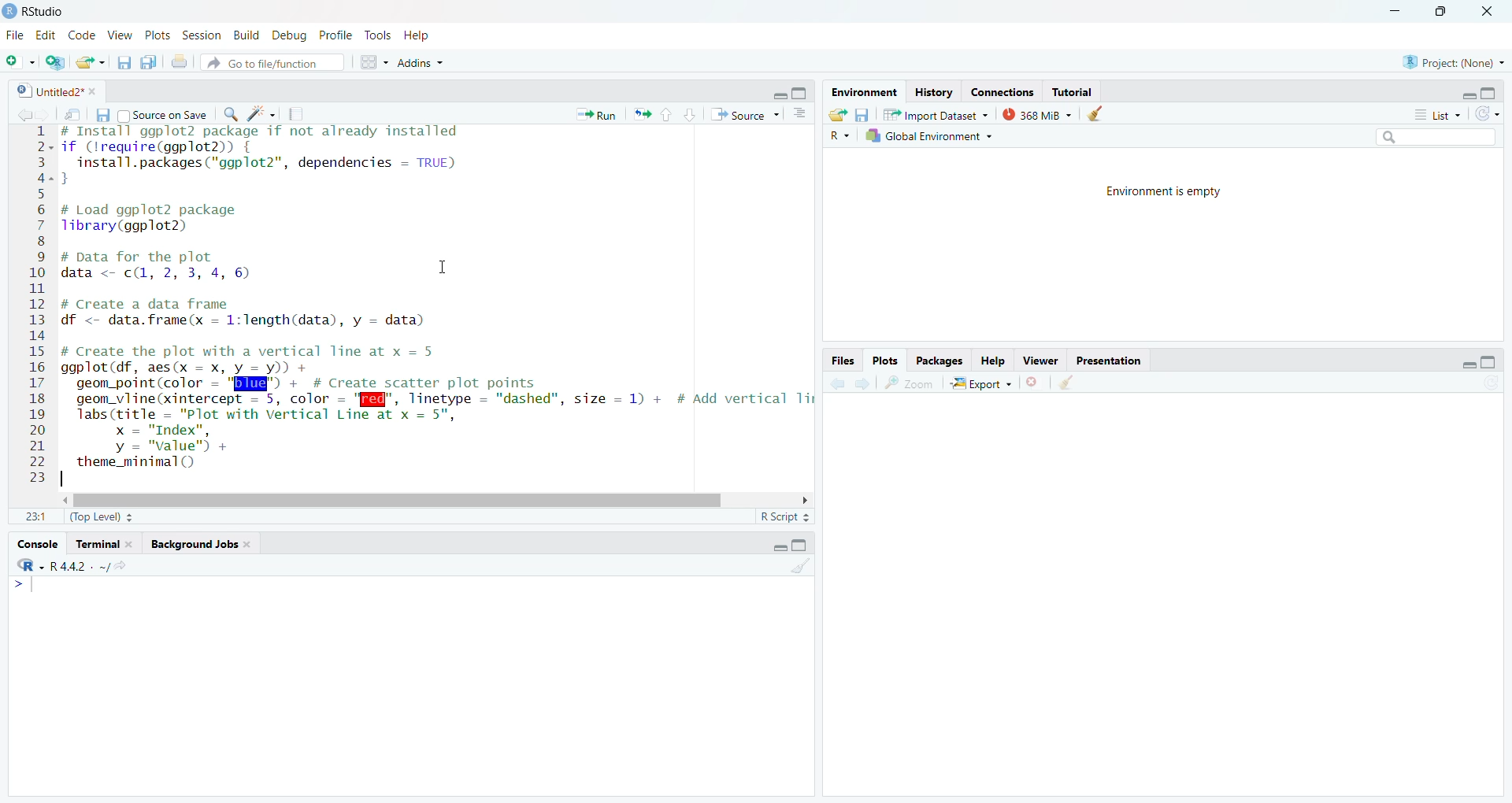 The image size is (1512, 803). Describe the element at coordinates (1436, 115) in the screenshot. I see `List ` at that location.